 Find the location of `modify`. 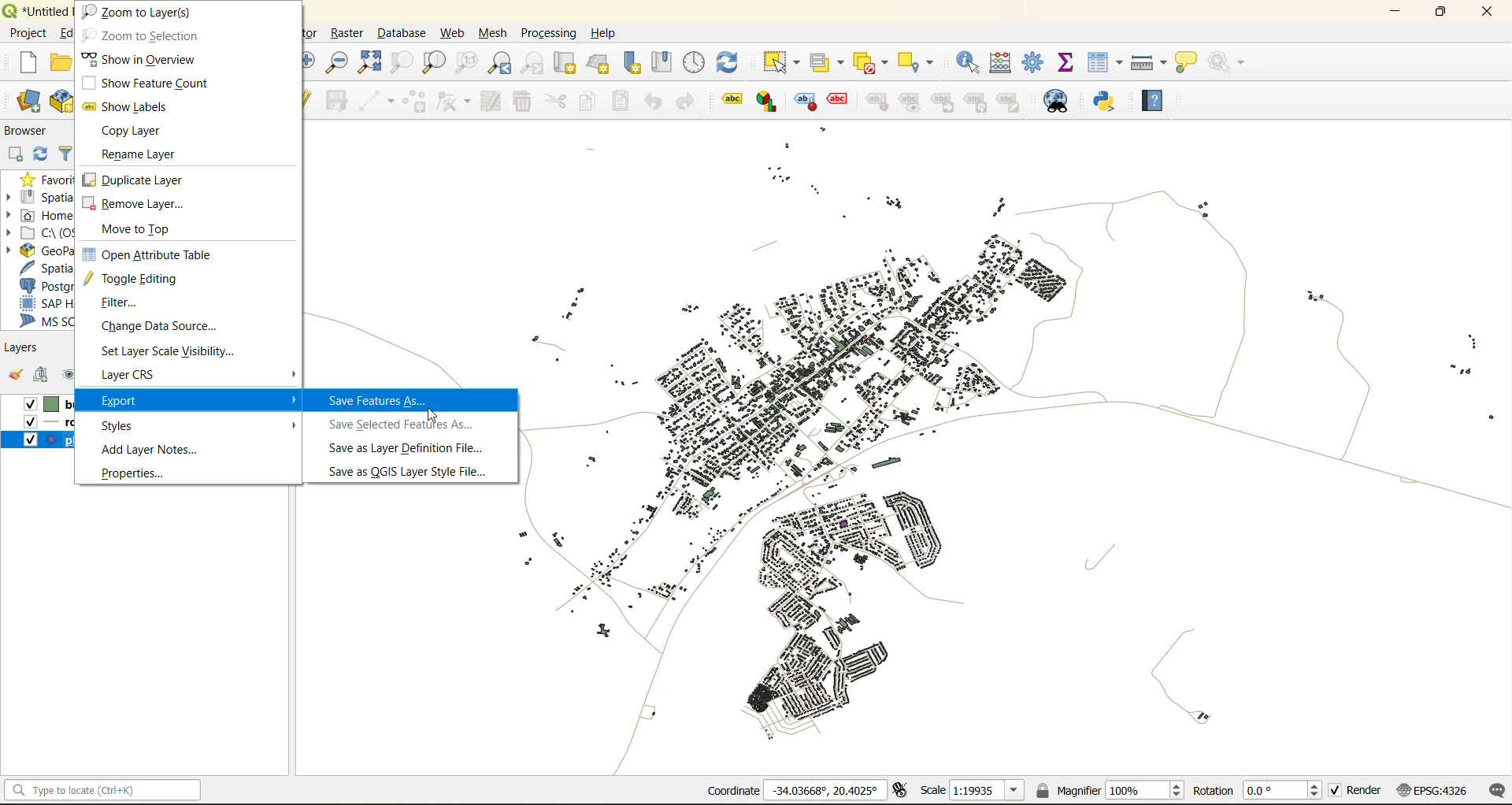

modify is located at coordinates (493, 102).